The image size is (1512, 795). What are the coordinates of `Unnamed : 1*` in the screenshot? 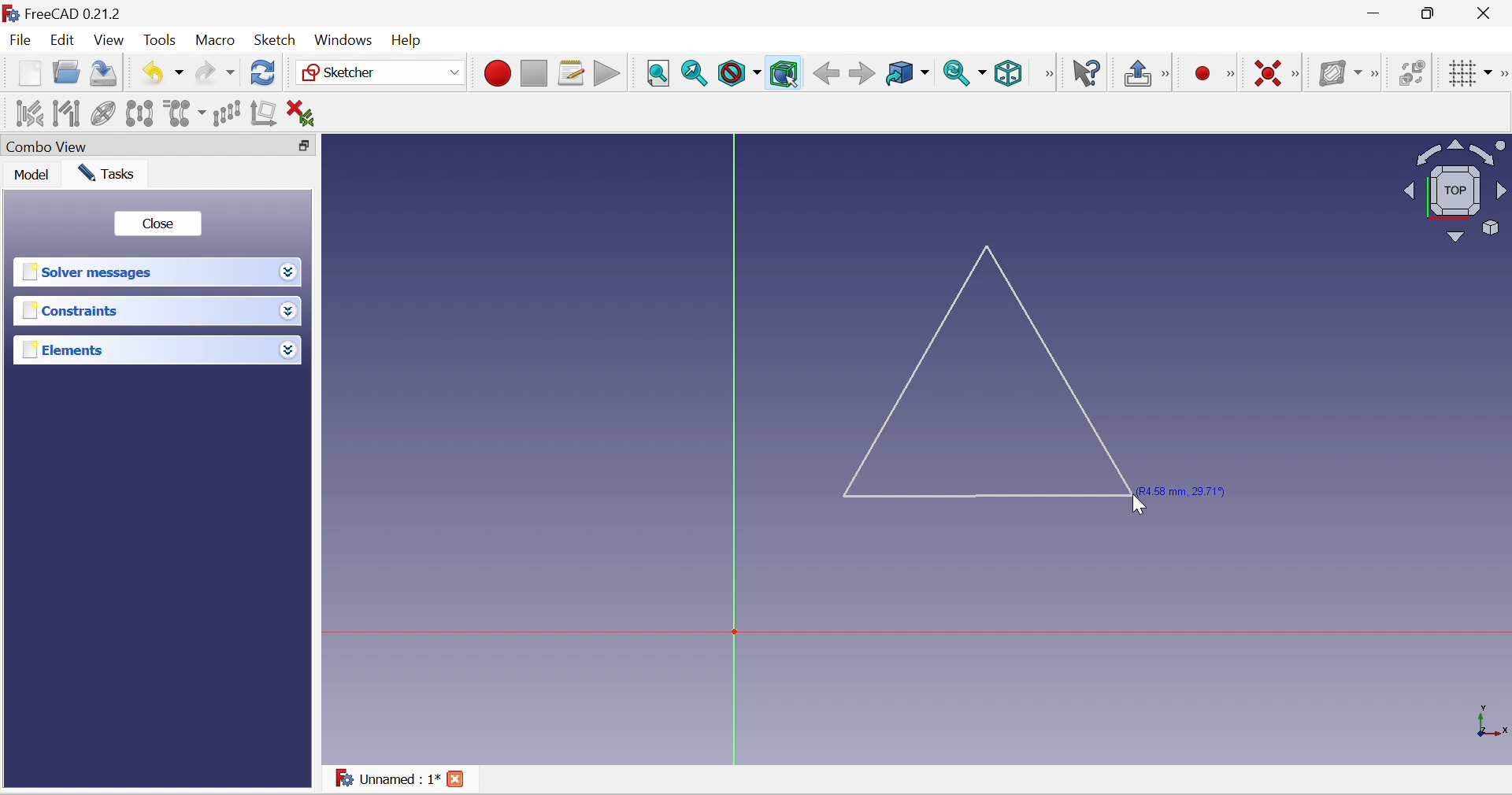 It's located at (388, 777).